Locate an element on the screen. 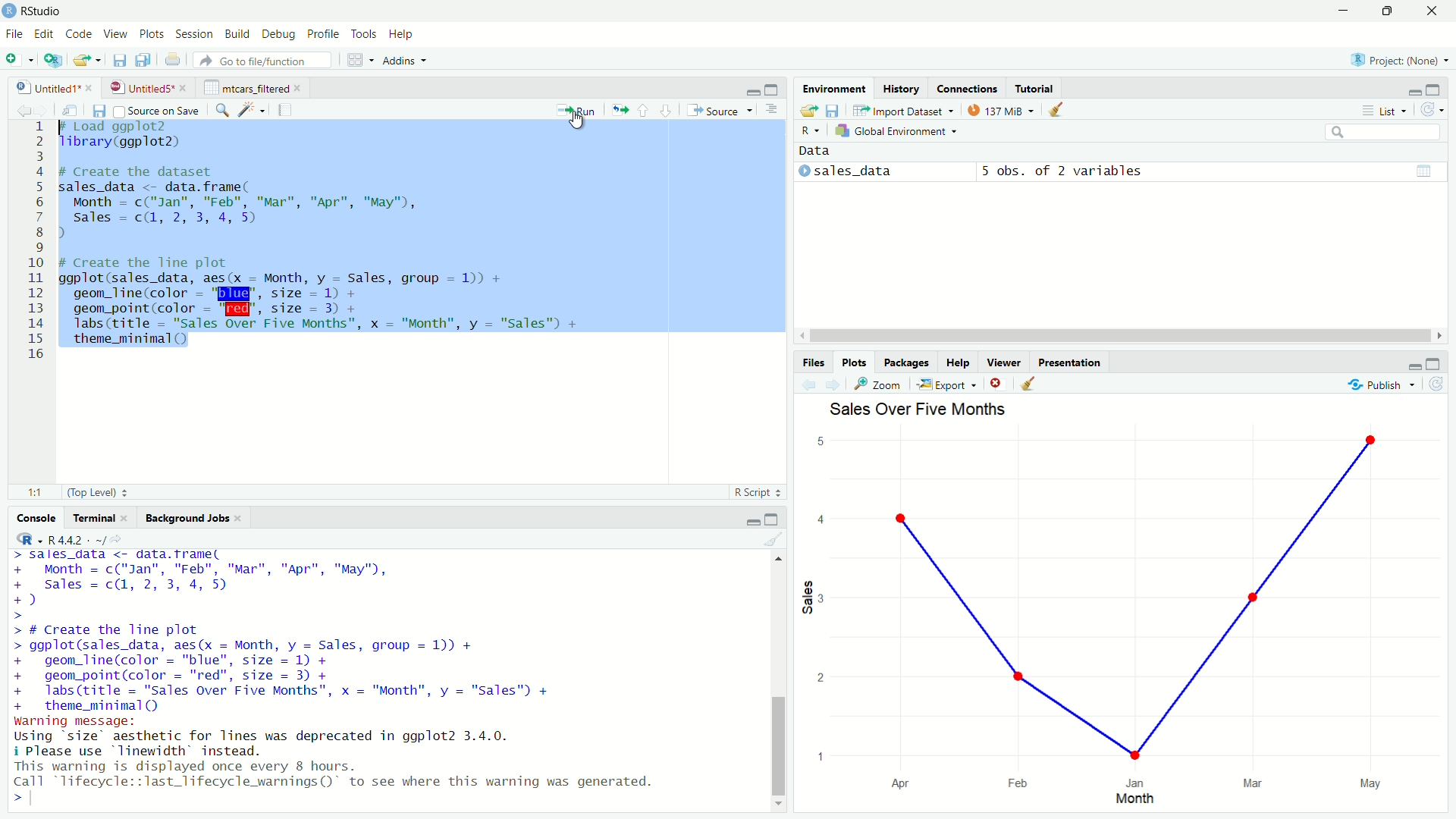 The image size is (1456, 819). Environment is located at coordinates (836, 88).